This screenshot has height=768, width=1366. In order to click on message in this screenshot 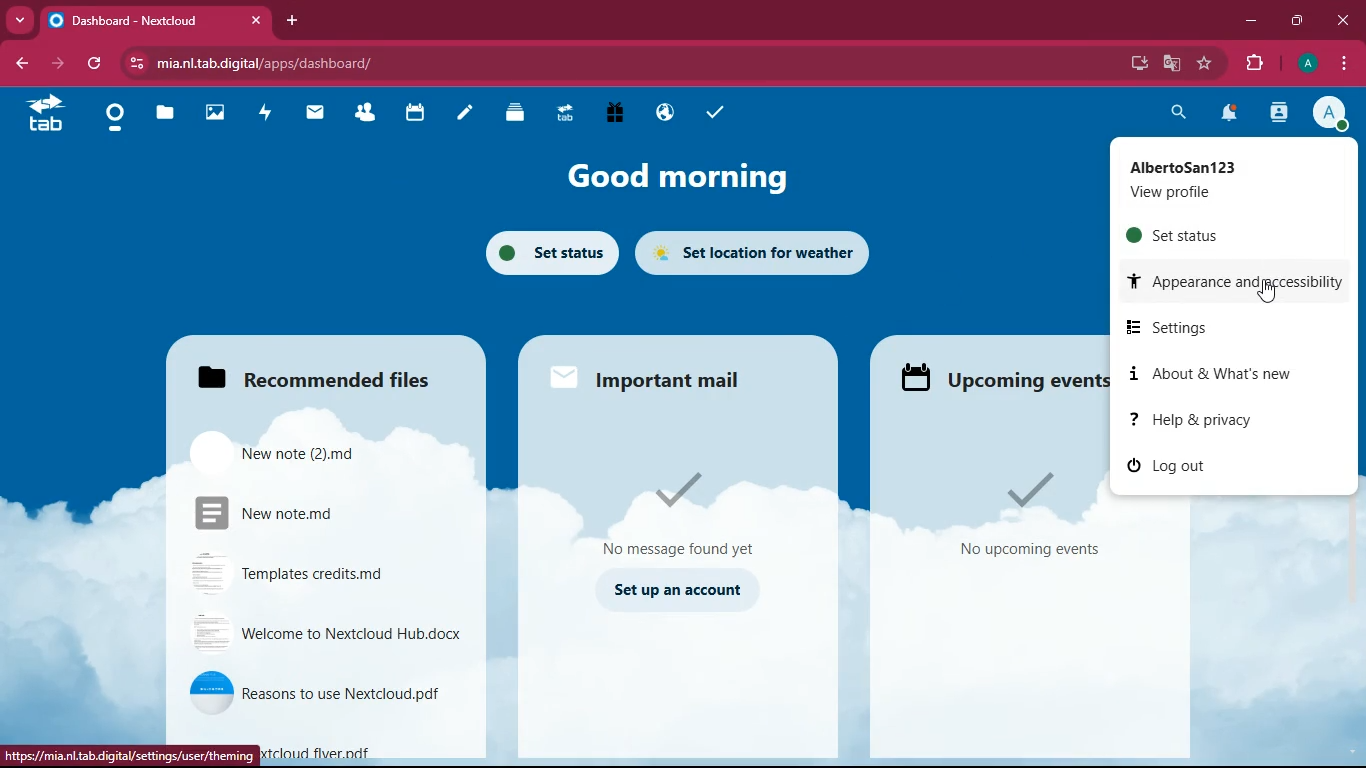, I will do `click(699, 514)`.